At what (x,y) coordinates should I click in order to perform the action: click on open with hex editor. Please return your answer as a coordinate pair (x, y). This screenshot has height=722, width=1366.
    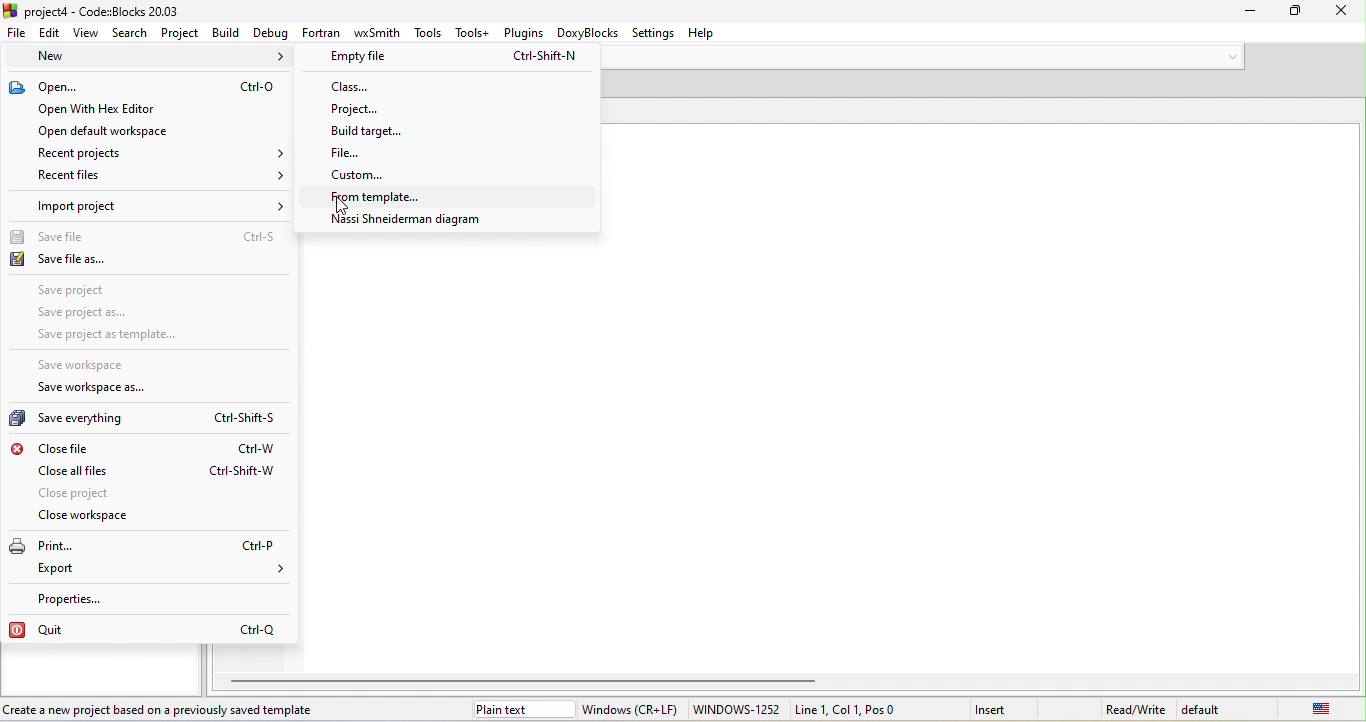
    Looking at the image, I should click on (146, 110).